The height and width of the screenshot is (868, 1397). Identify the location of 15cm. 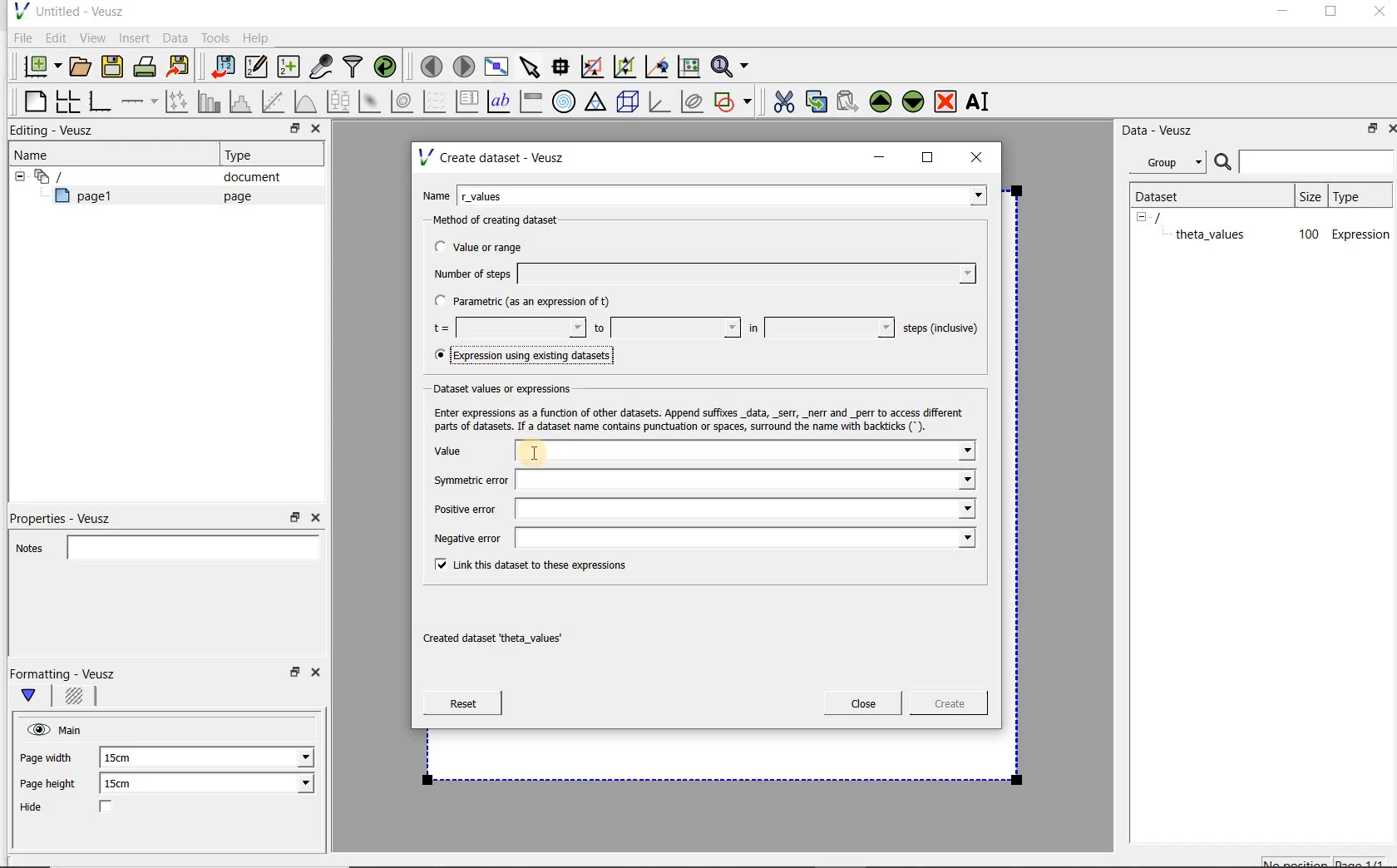
(128, 784).